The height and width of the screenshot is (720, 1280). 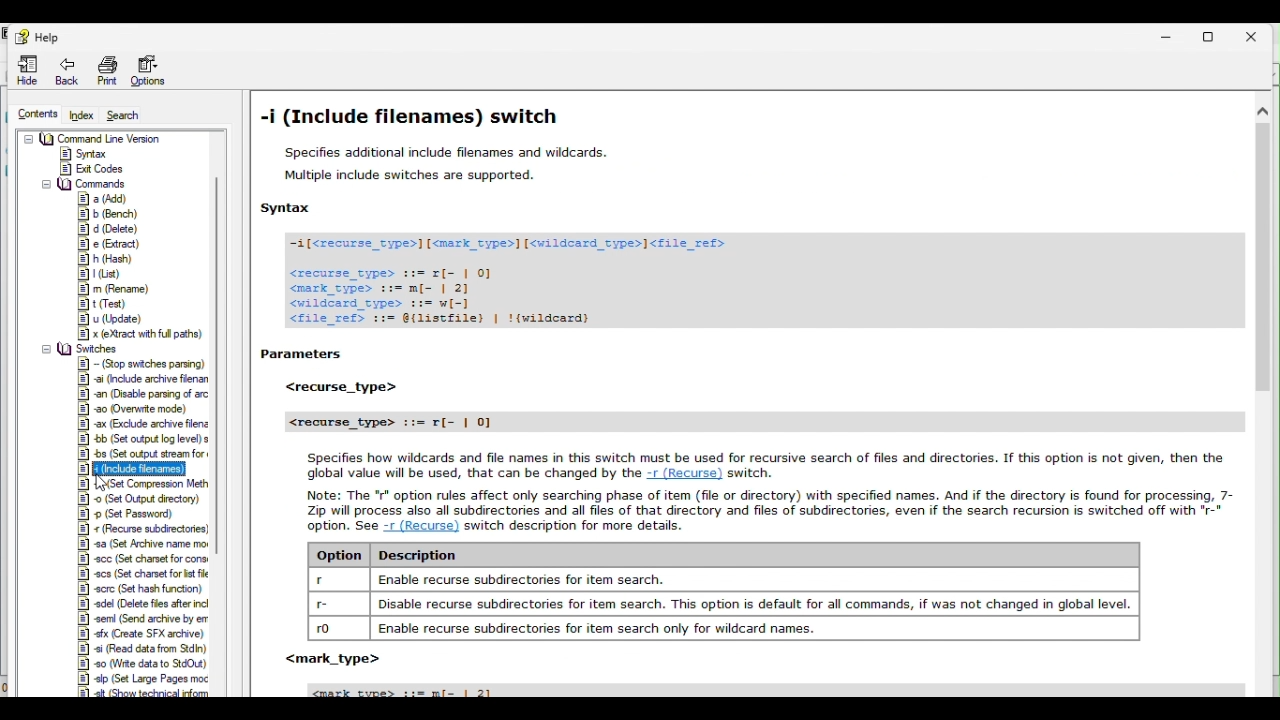 What do you see at coordinates (226, 349) in the screenshot?
I see `scrollbar` at bounding box center [226, 349].